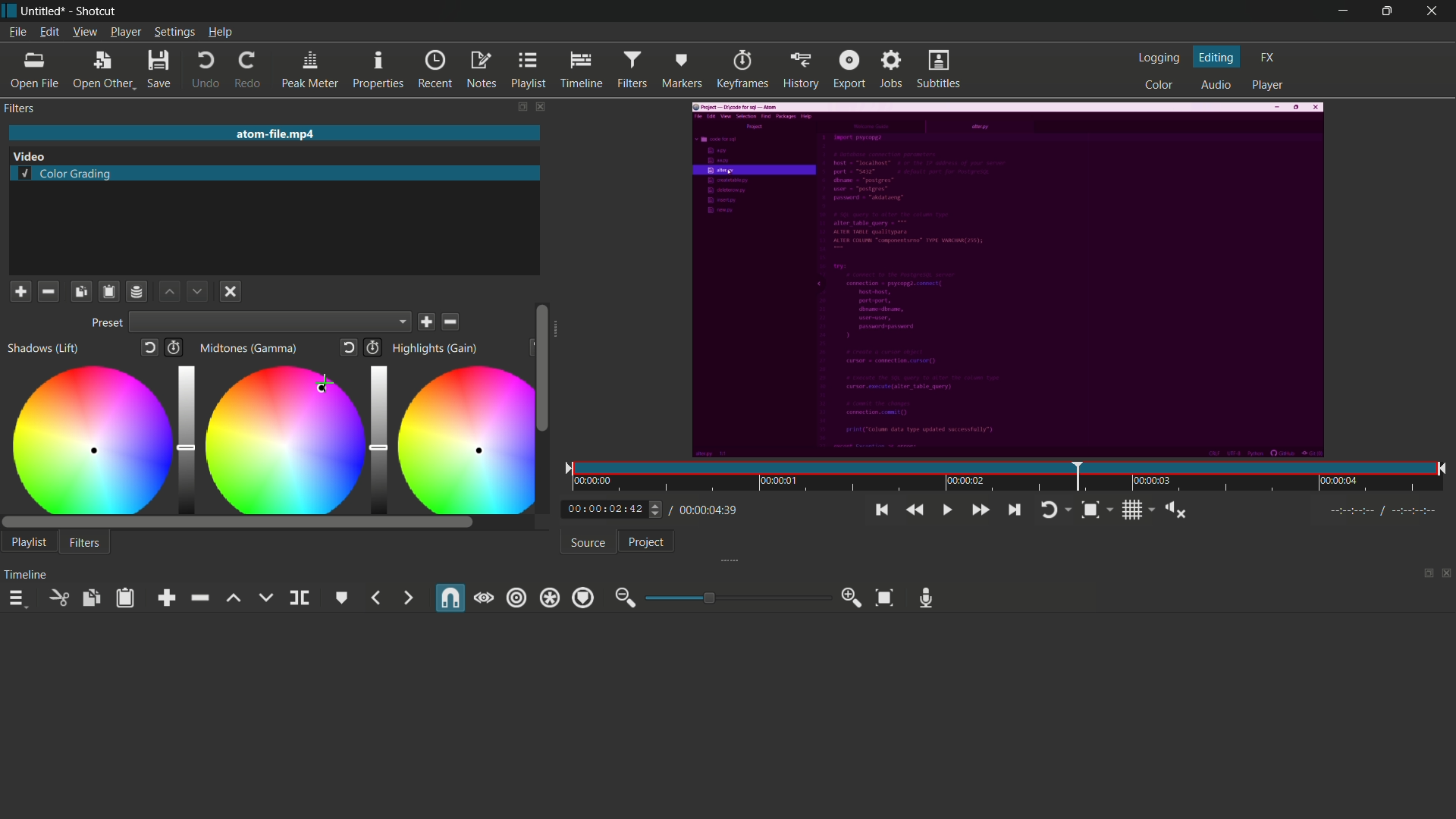  What do you see at coordinates (102, 72) in the screenshot?
I see `open other` at bounding box center [102, 72].